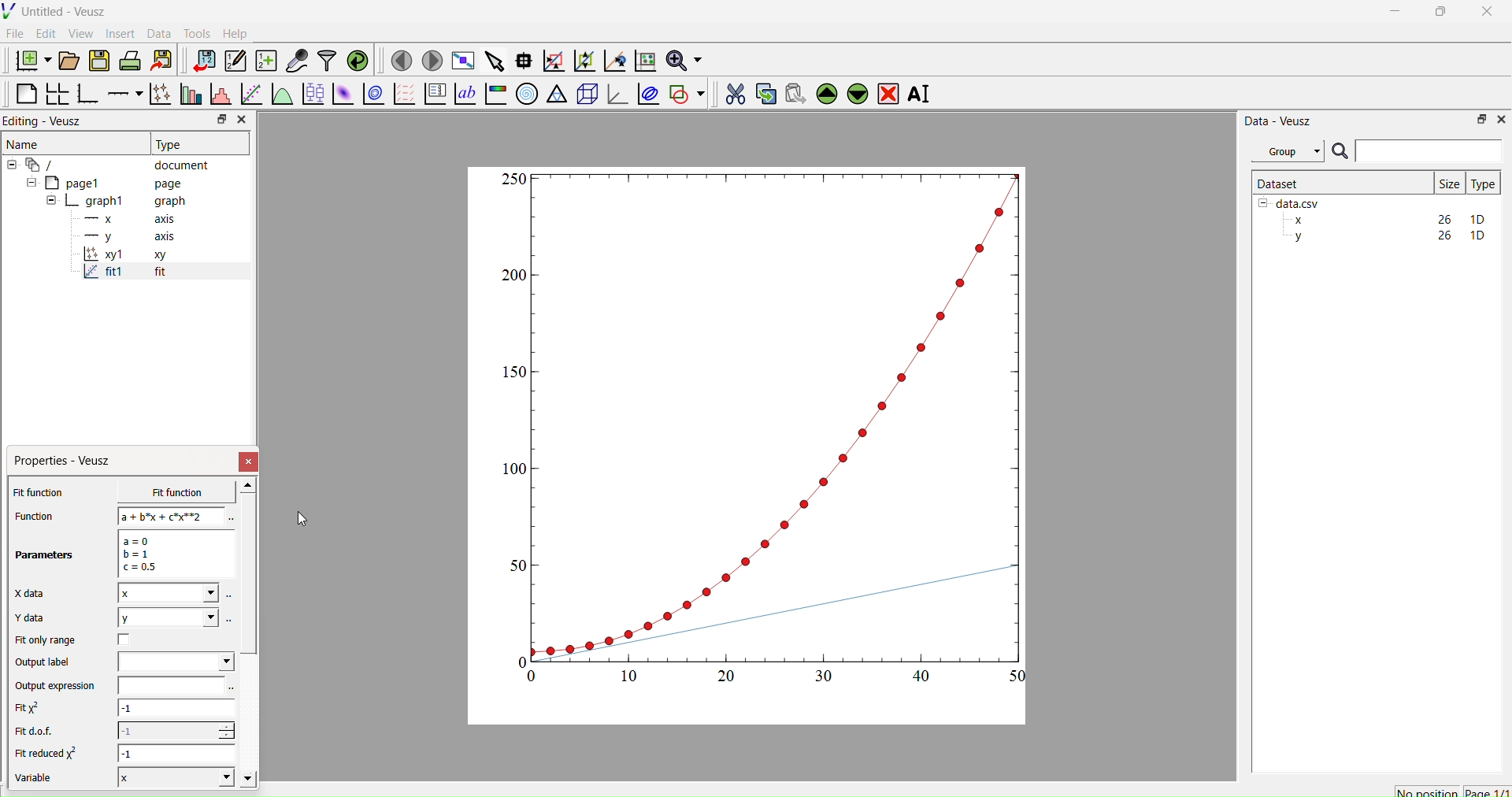  Describe the element at coordinates (527, 94) in the screenshot. I see `Polar Graph` at that location.